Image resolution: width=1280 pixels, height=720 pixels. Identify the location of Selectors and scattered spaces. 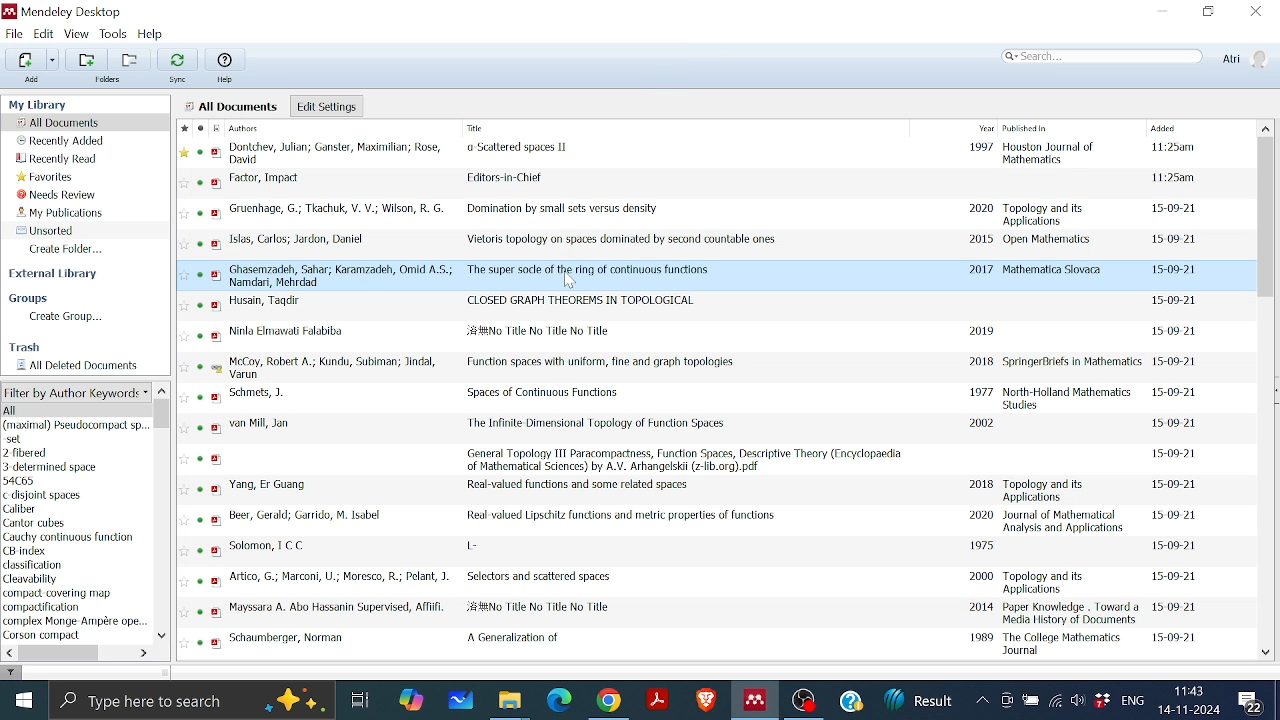
(705, 581).